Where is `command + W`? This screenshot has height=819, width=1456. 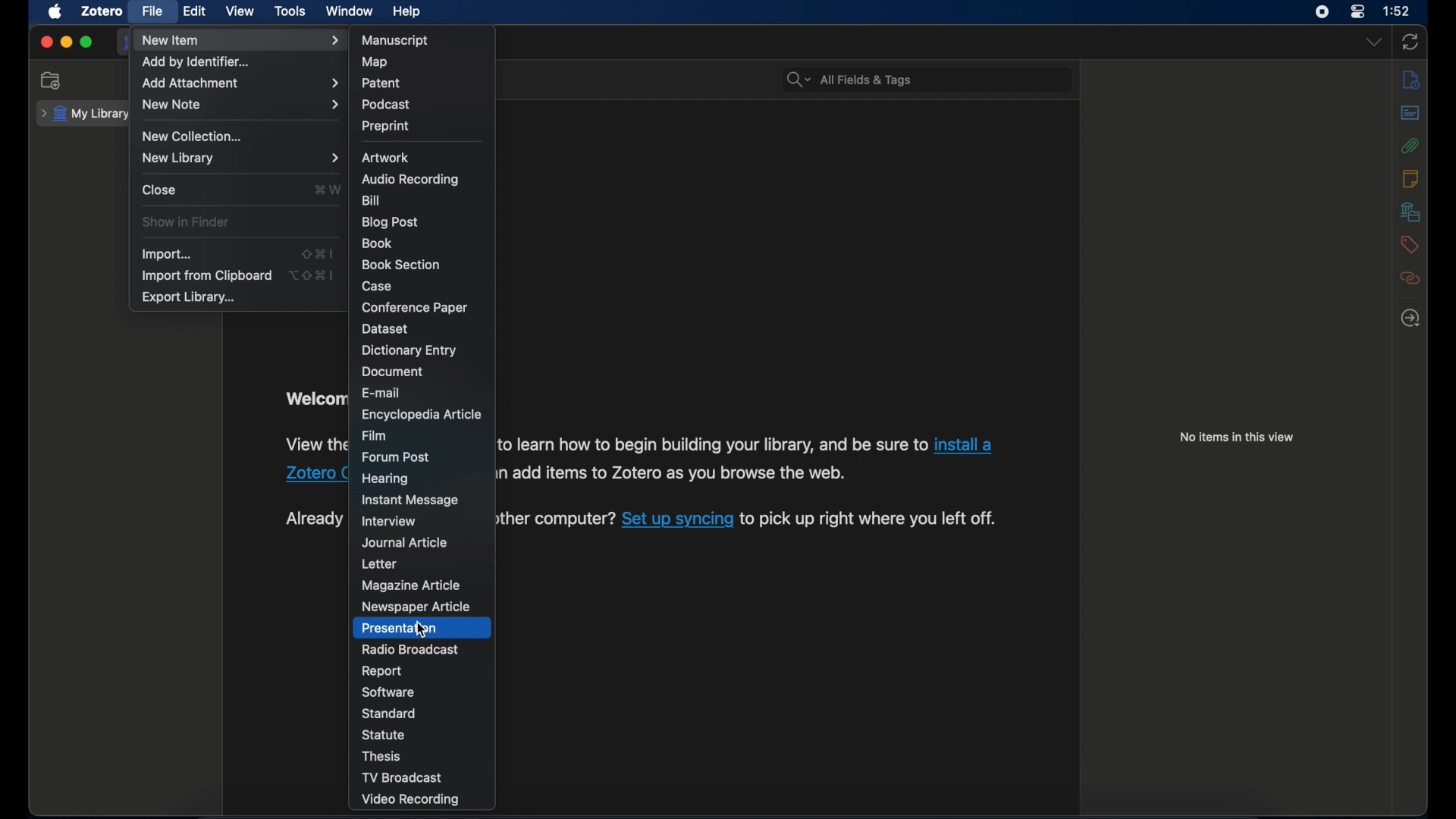
command + W is located at coordinates (328, 190).